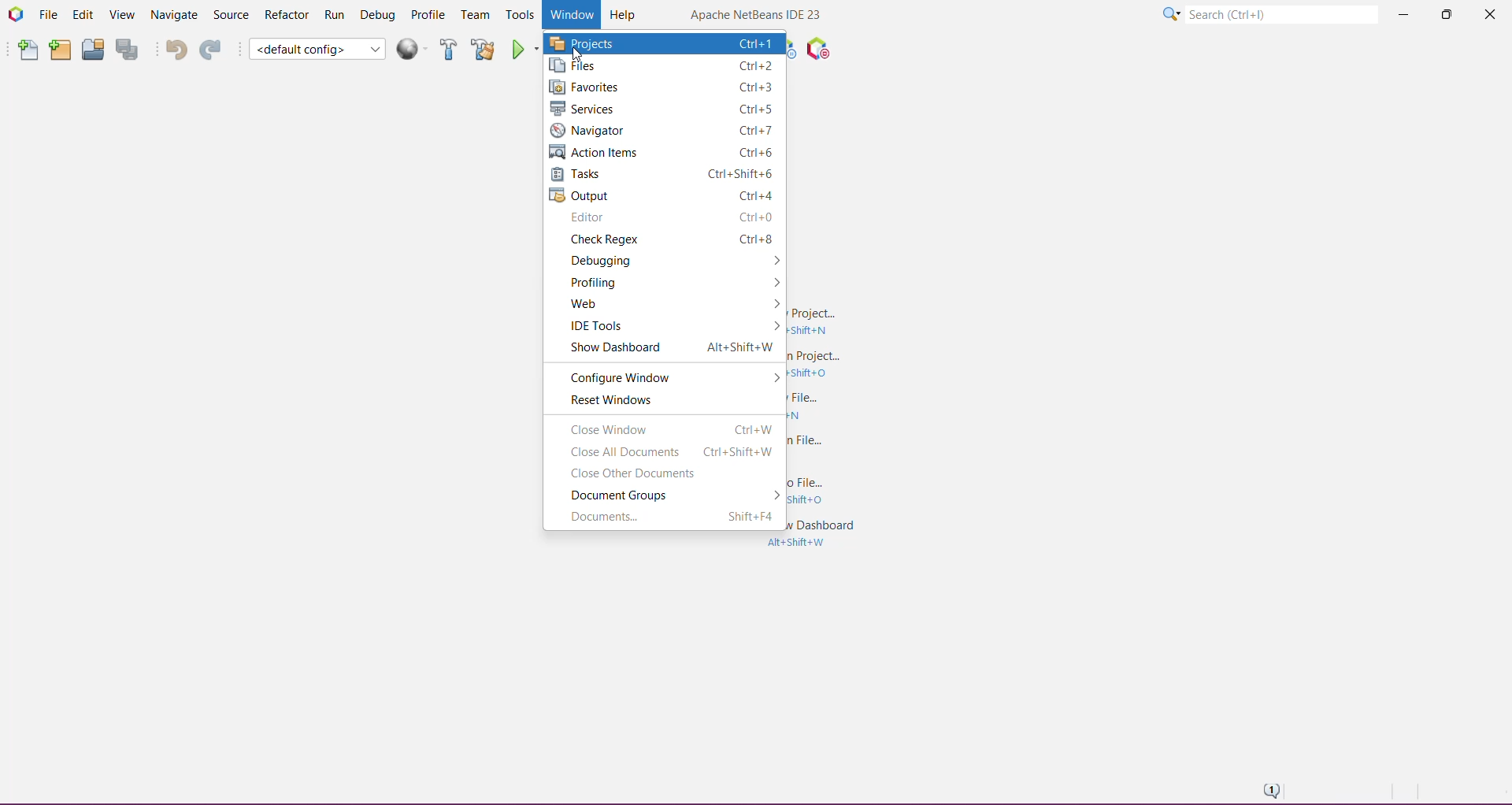  What do you see at coordinates (1444, 14) in the screenshot?
I see `Restore Down` at bounding box center [1444, 14].